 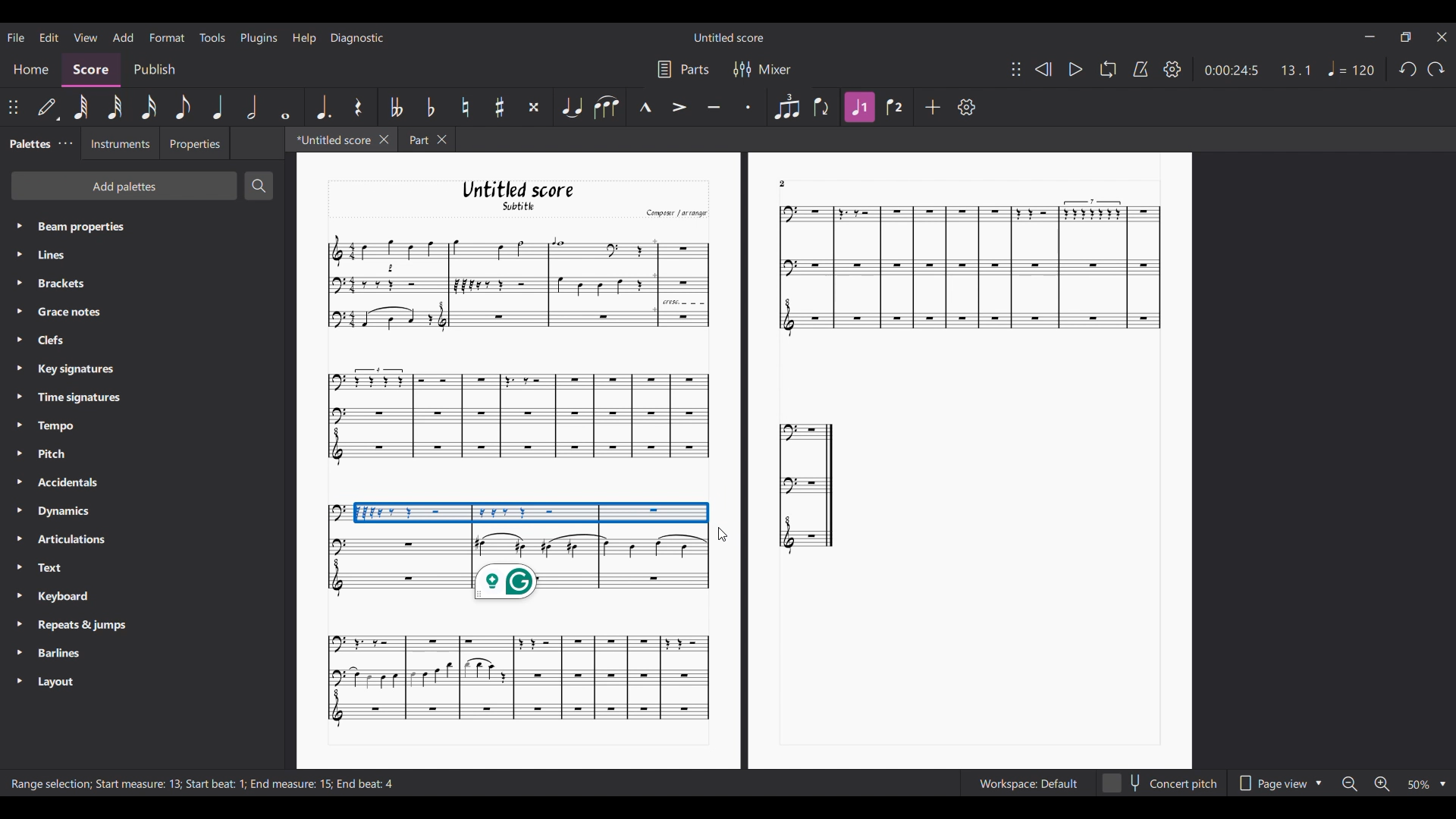 I want to click on Add palette, so click(x=124, y=186).